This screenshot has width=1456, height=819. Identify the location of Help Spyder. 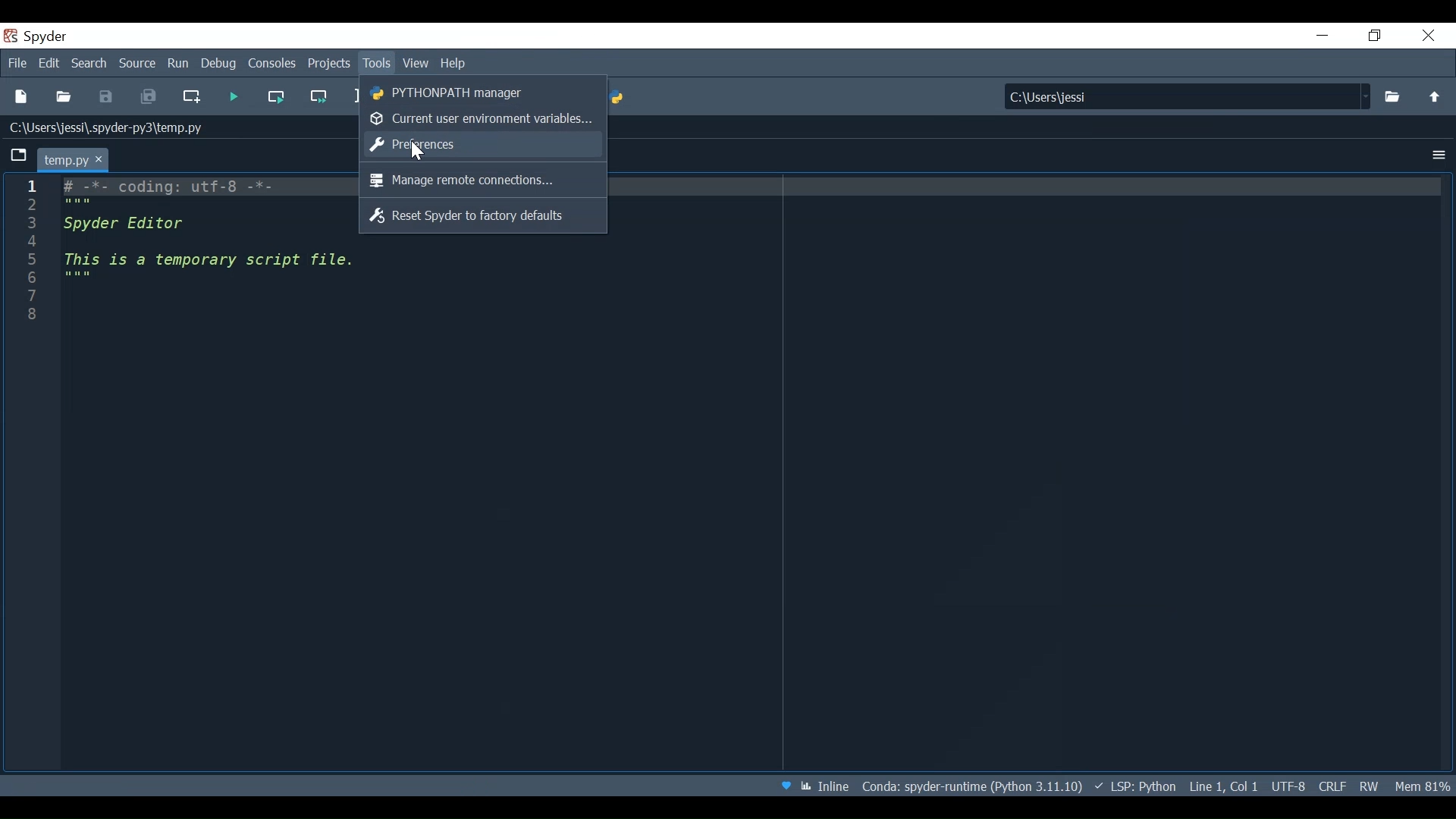
(786, 786).